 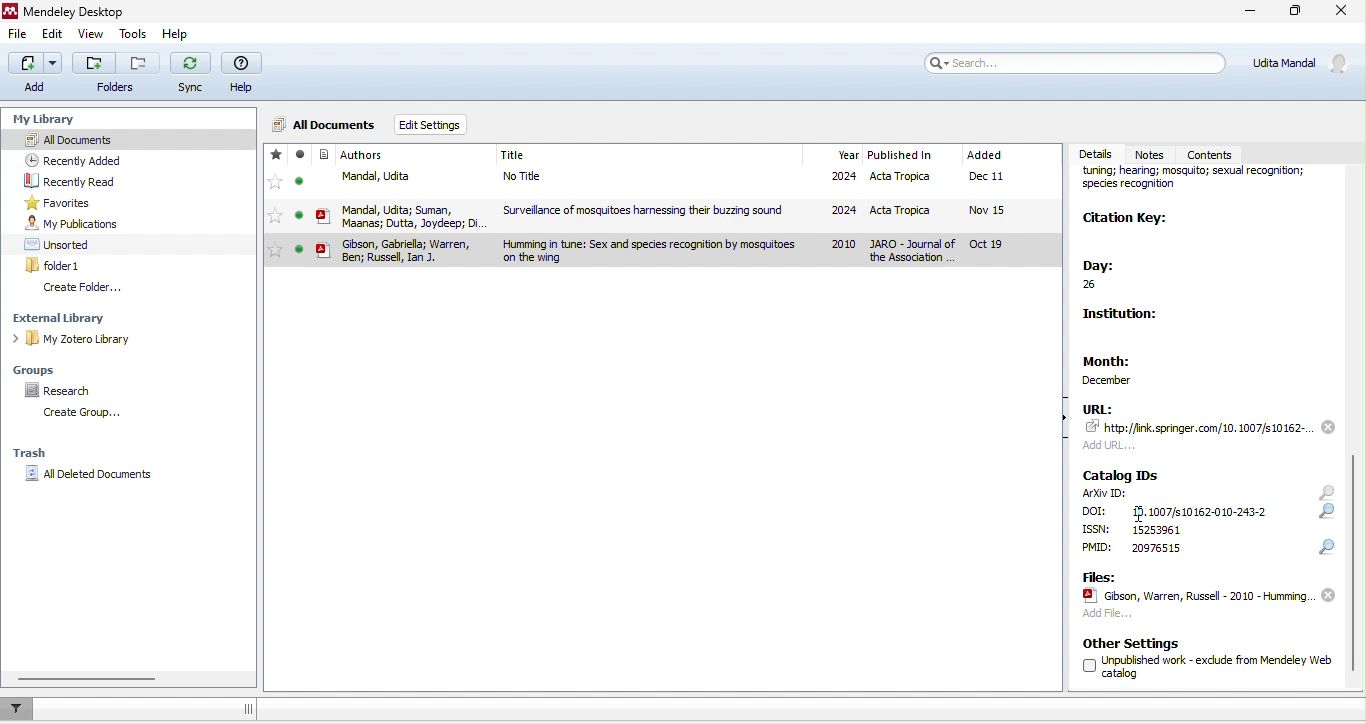 What do you see at coordinates (245, 74) in the screenshot?
I see `help` at bounding box center [245, 74].